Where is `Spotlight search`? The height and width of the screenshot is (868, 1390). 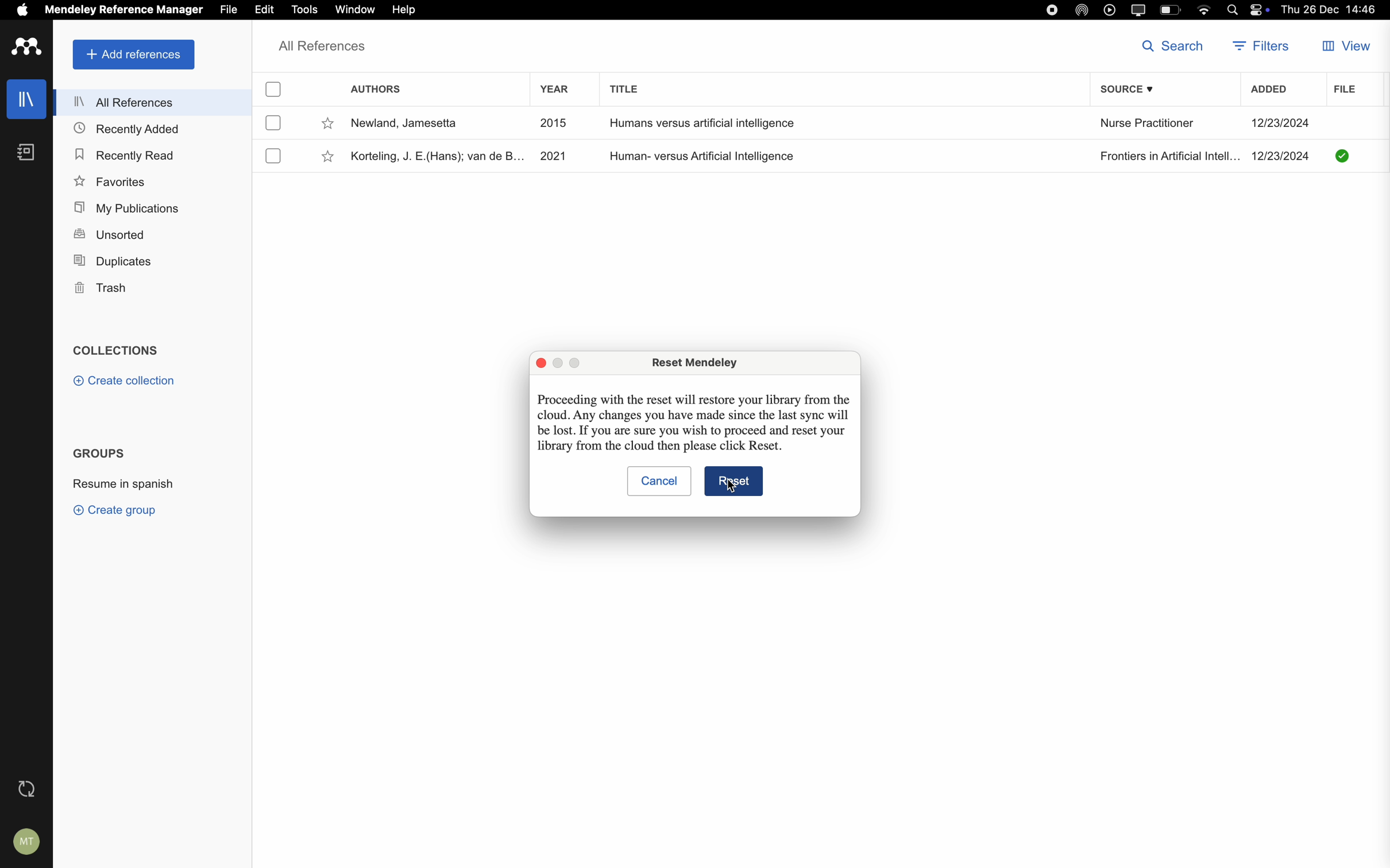 Spotlight search is located at coordinates (1231, 9).